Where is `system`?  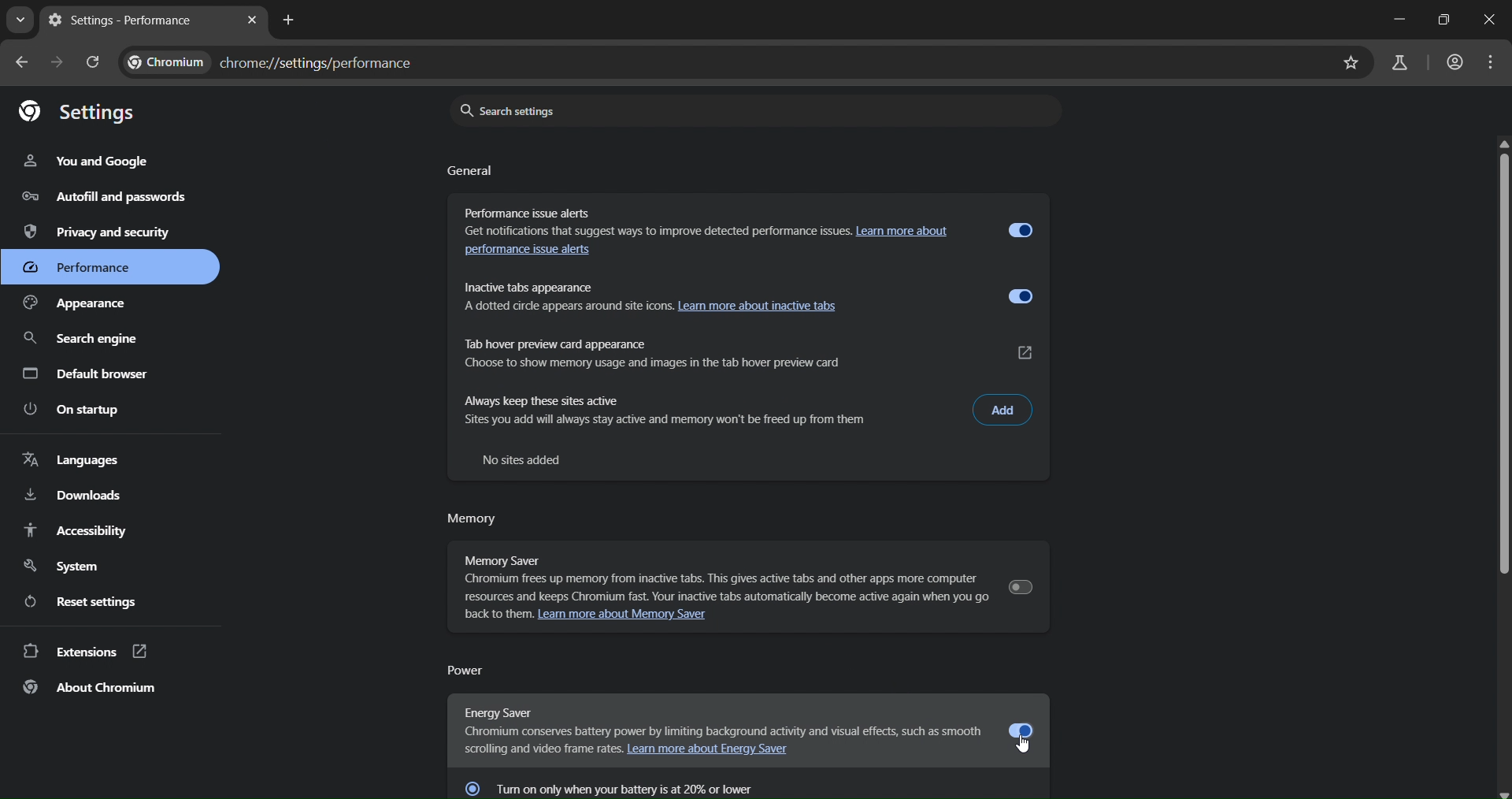 system is located at coordinates (65, 563).